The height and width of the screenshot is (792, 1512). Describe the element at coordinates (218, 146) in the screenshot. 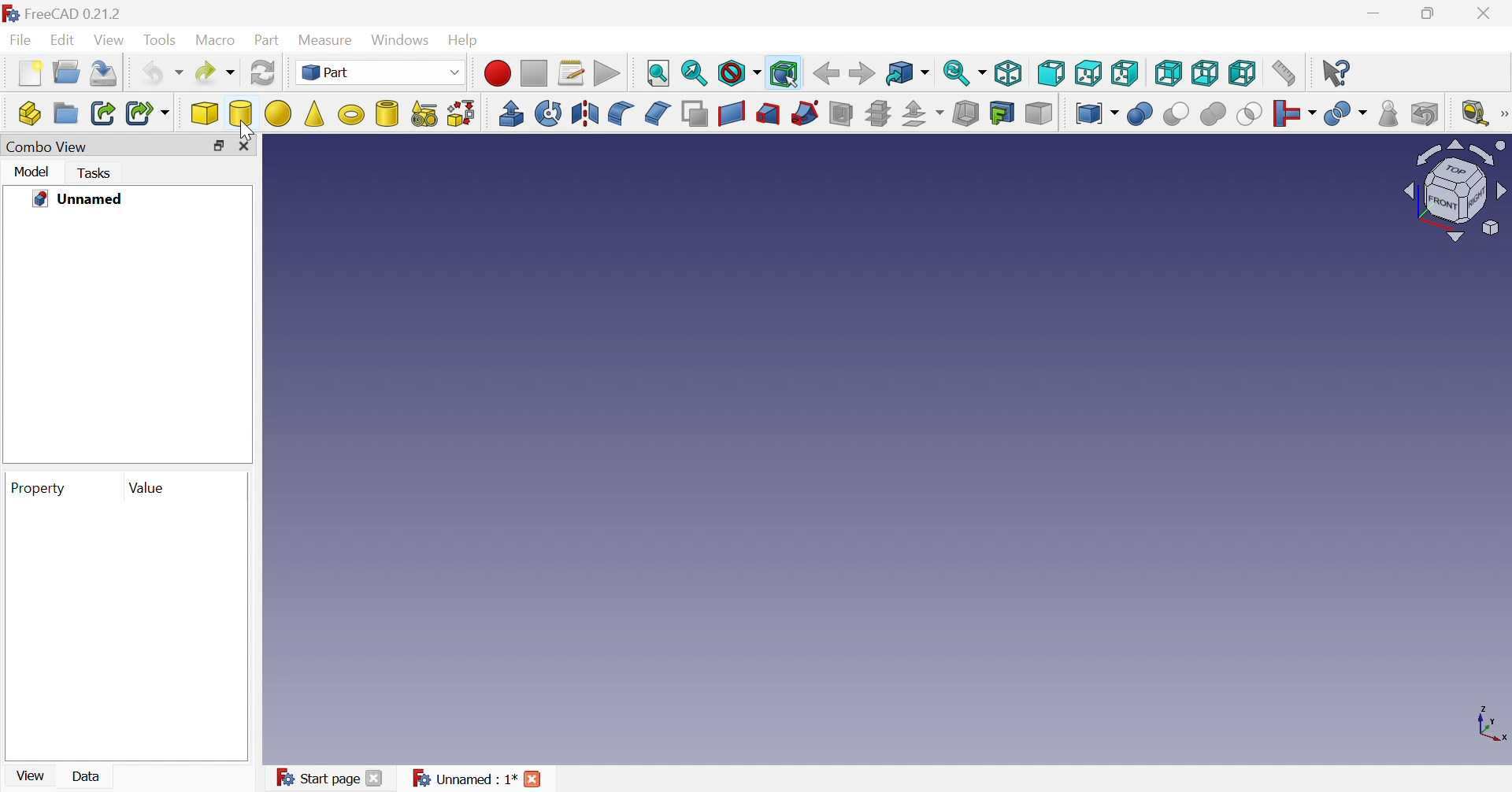

I see `Restore down` at that location.